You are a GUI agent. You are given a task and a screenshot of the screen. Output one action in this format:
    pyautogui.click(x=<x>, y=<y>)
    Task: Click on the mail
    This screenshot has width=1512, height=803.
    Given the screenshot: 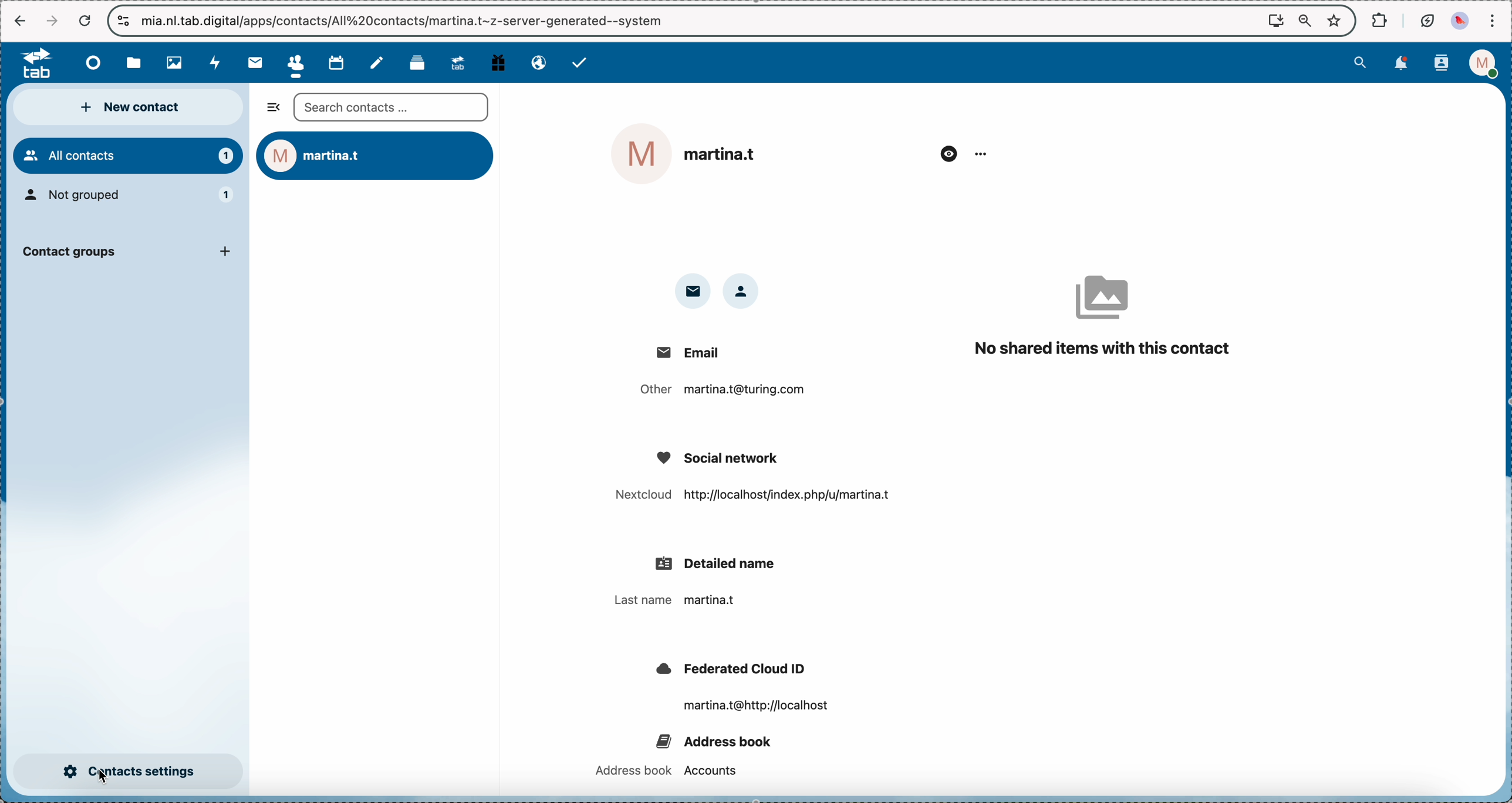 What is the action you would take?
    pyautogui.click(x=254, y=63)
    